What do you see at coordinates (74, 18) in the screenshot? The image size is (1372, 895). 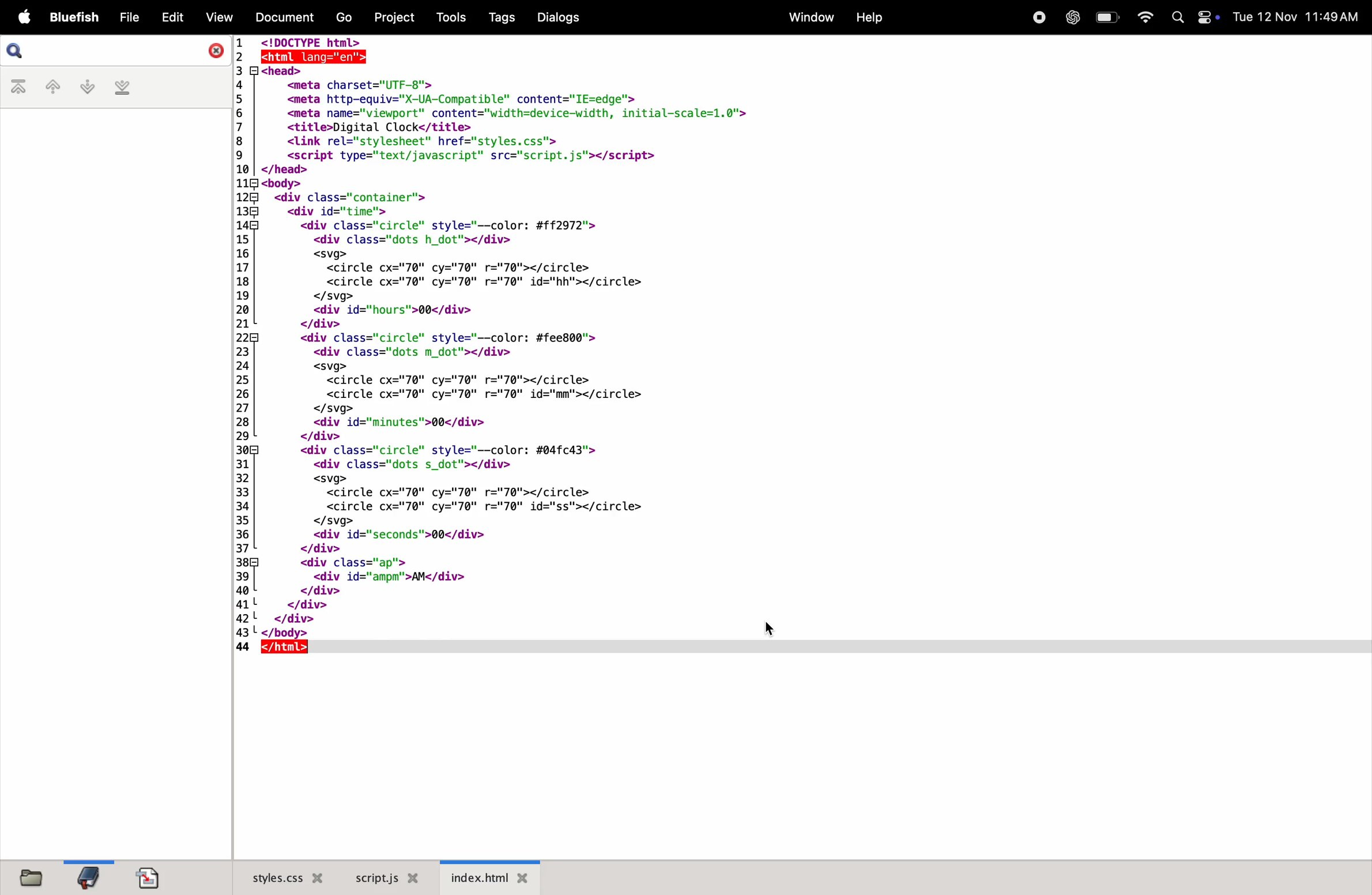 I see `bluefish menu` at bounding box center [74, 18].